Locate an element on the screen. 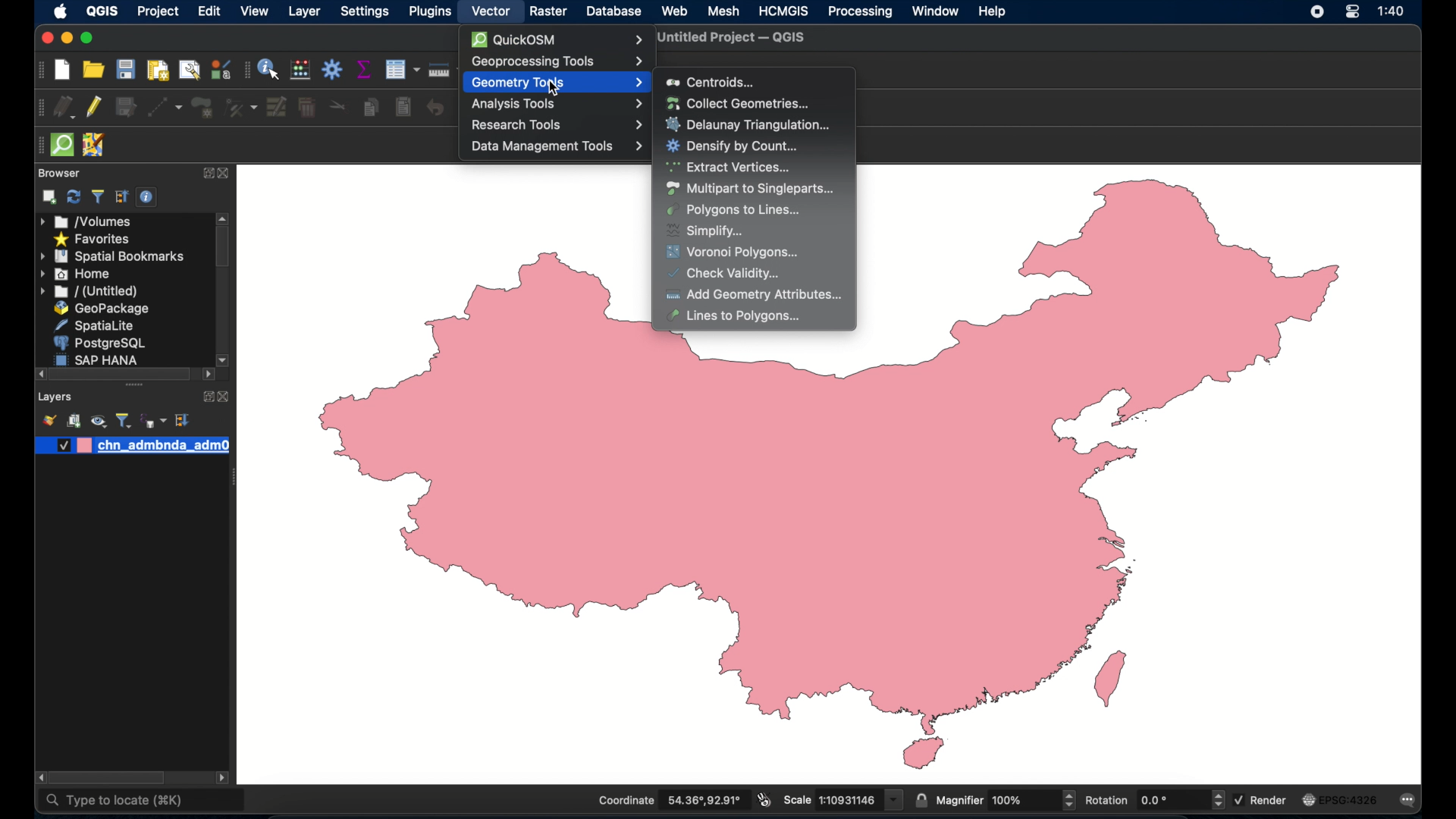 Image resolution: width=1456 pixels, height=819 pixels. close is located at coordinates (46, 39).